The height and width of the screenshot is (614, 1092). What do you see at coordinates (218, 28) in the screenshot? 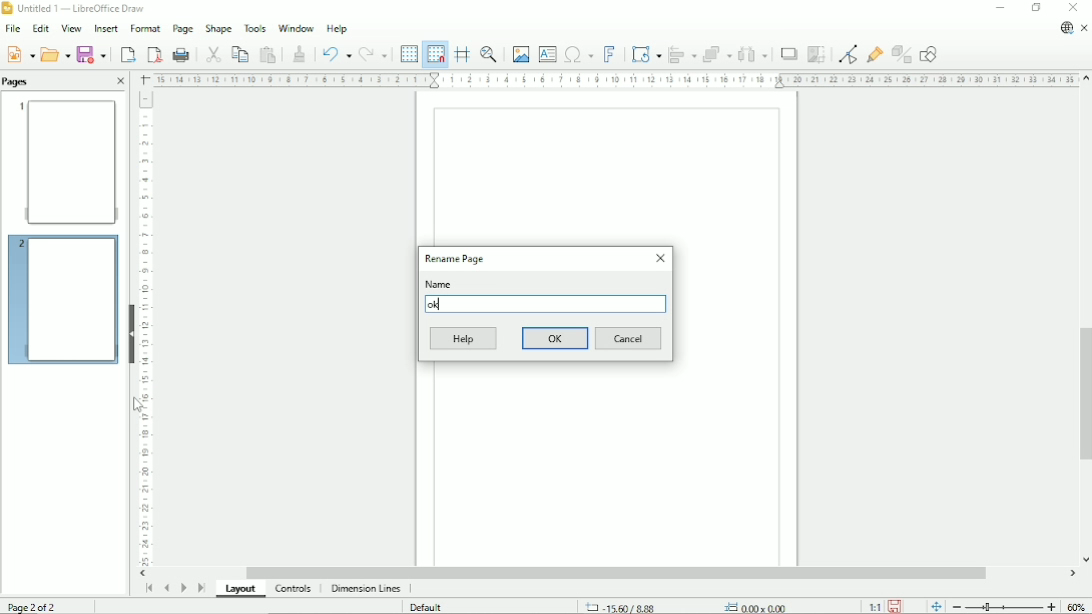
I see `Shape` at bounding box center [218, 28].